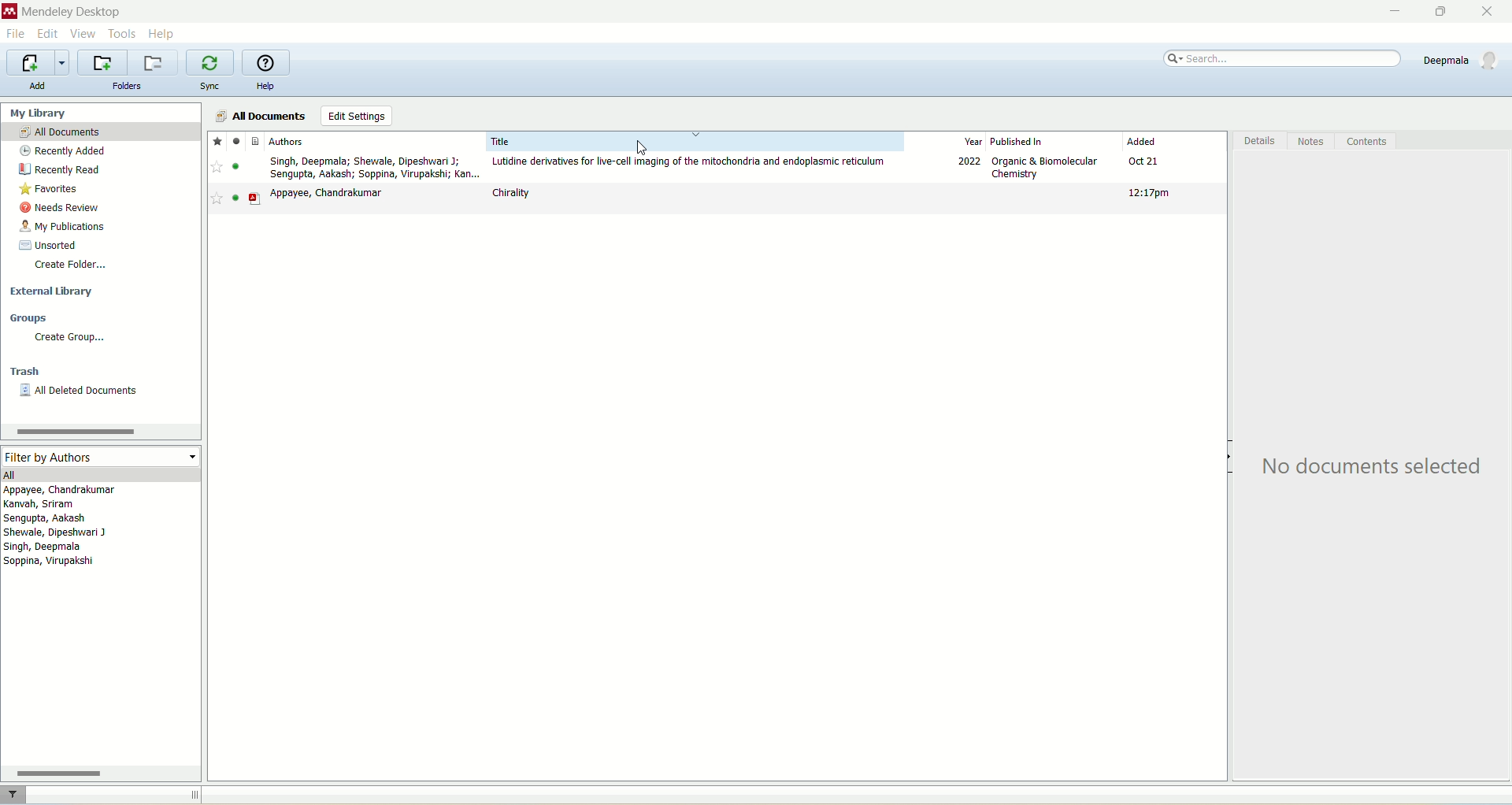 Image resolution: width=1512 pixels, height=805 pixels. I want to click on document1, so click(717, 169).